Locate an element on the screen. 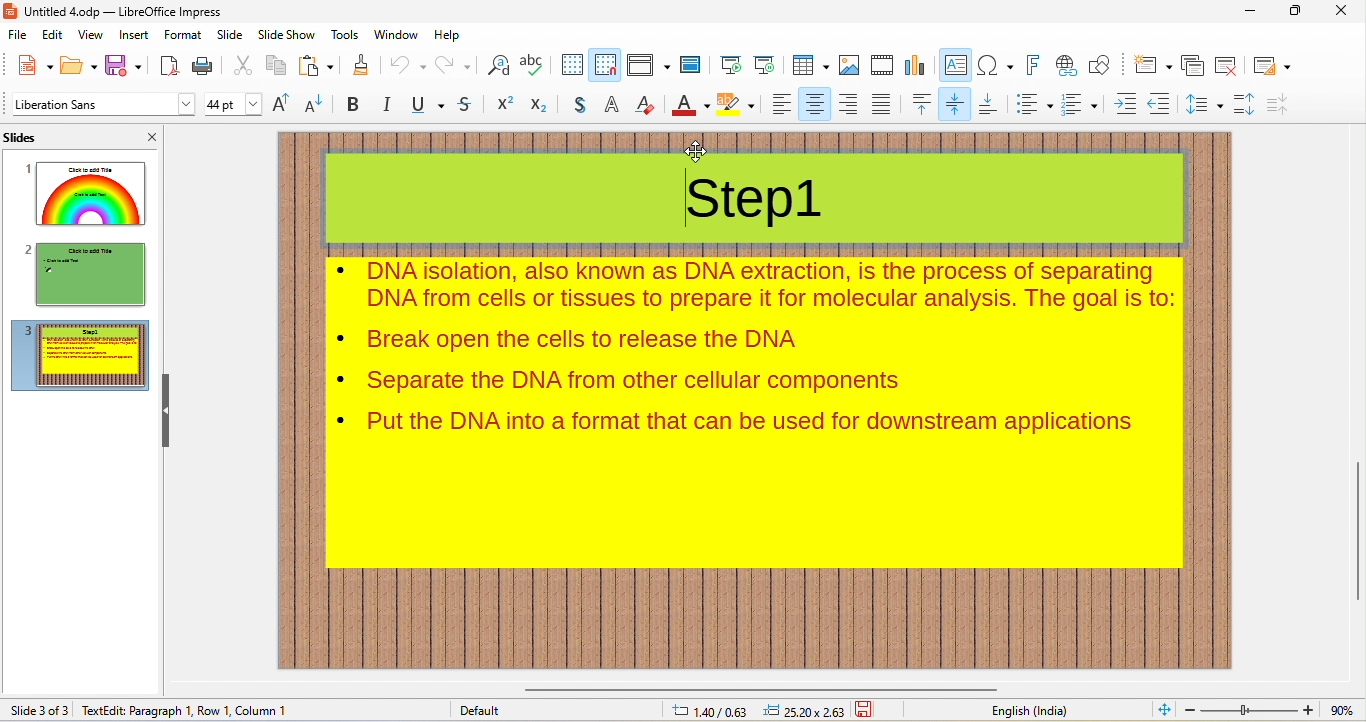 The width and height of the screenshot is (1366, 722). align top is located at coordinates (920, 105).